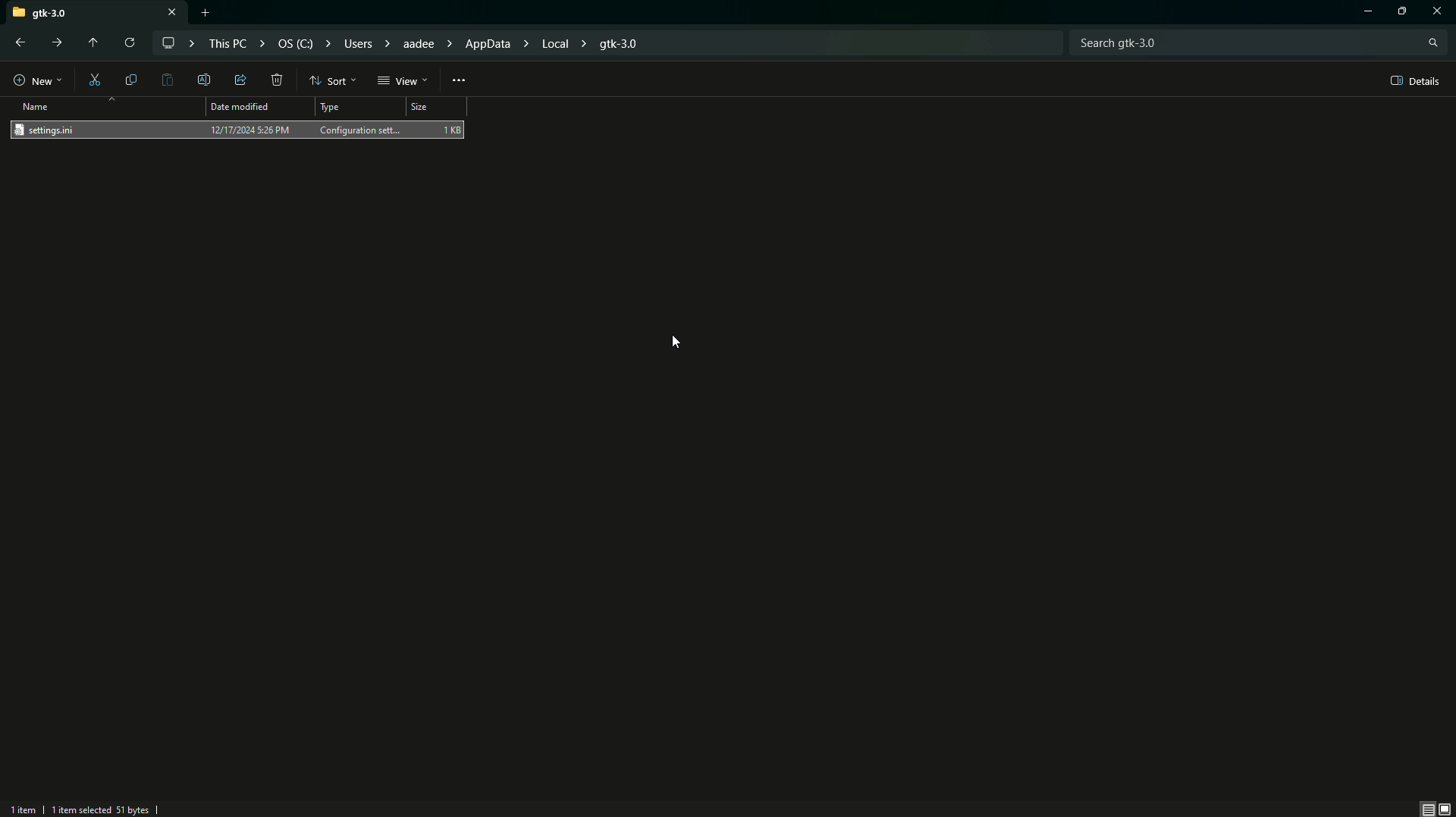  What do you see at coordinates (39, 107) in the screenshot?
I see `Name` at bounding box center [39, 107].